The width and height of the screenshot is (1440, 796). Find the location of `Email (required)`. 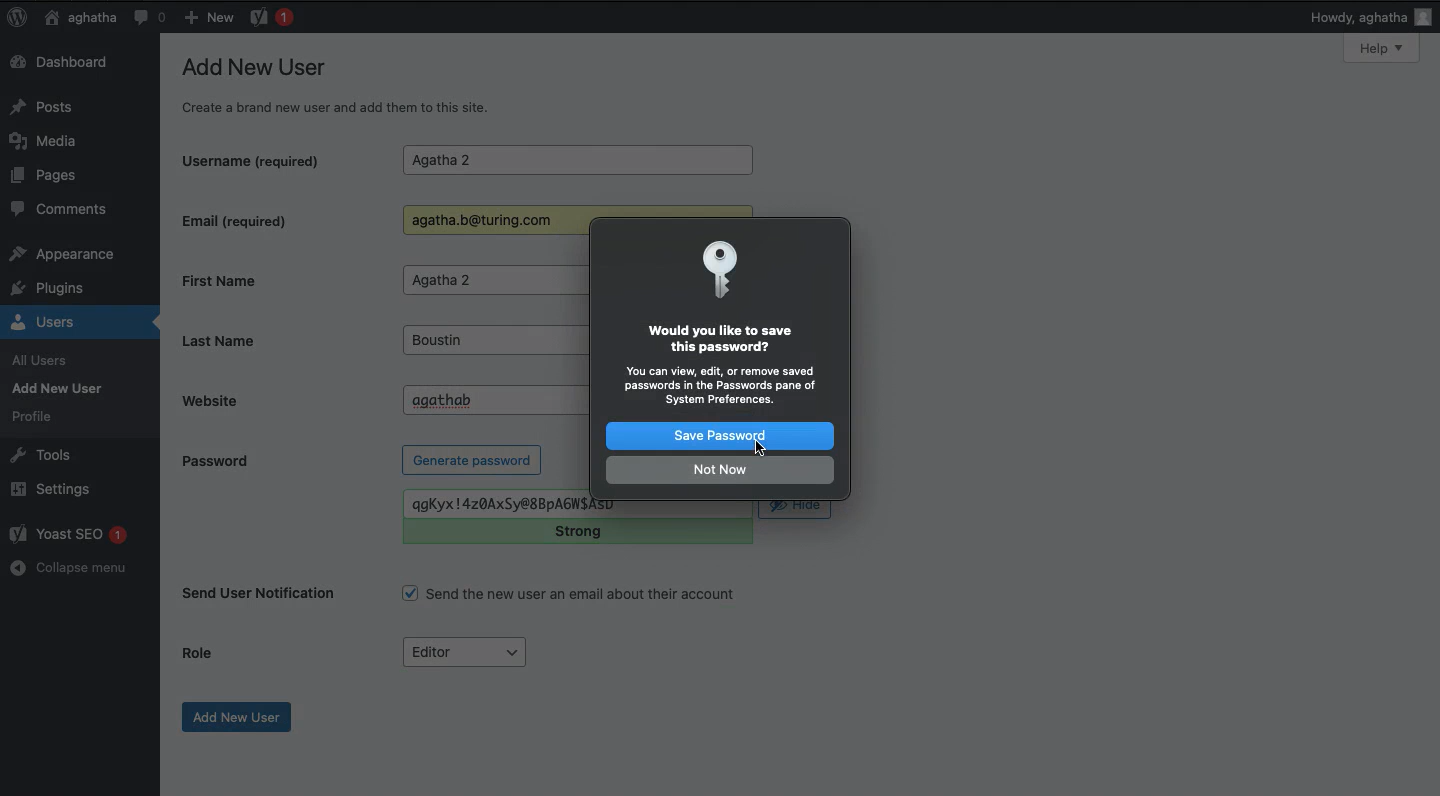

Email (required) is located at coordinates (269, 220).